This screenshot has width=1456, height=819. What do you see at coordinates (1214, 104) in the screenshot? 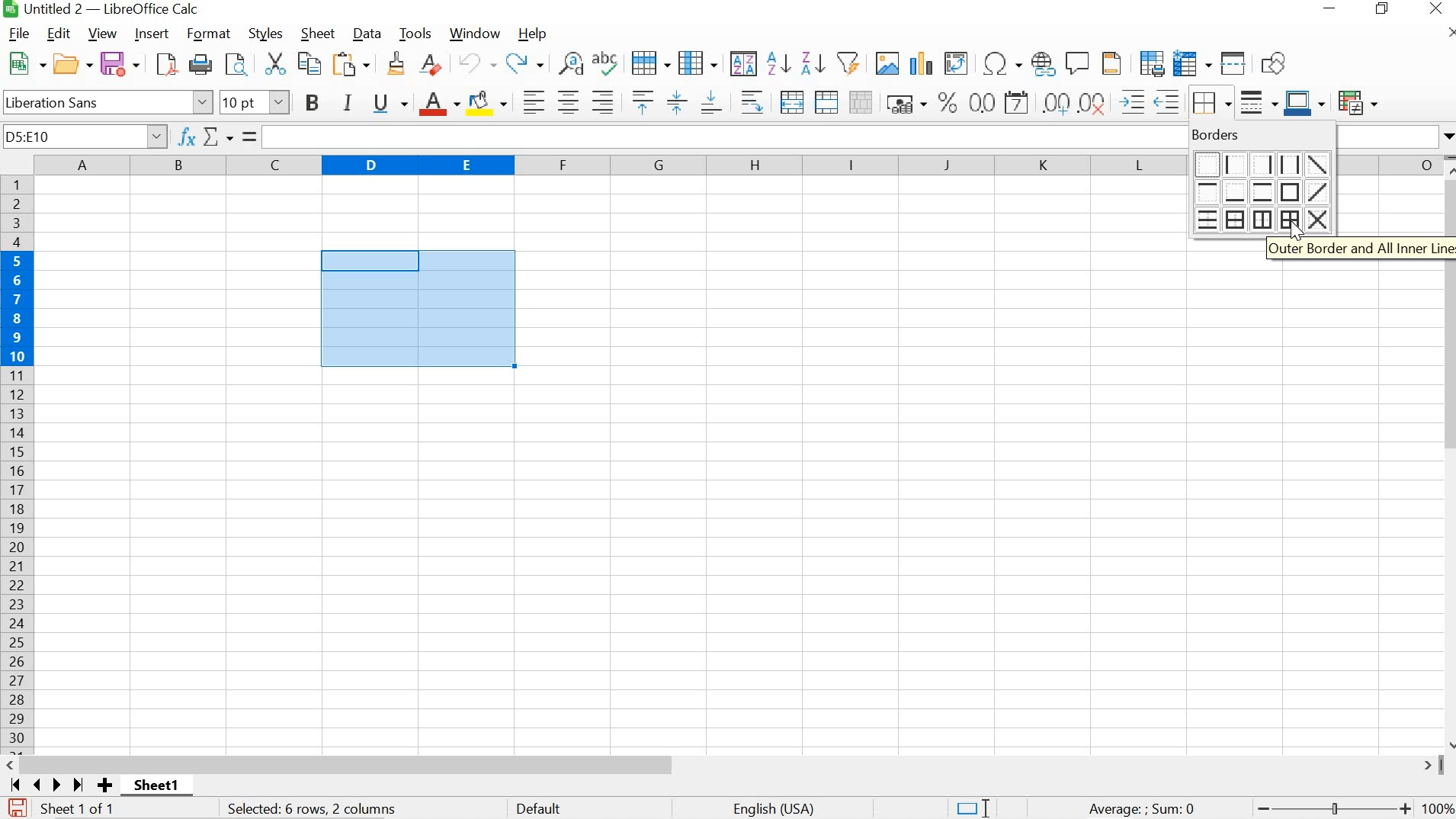
I see `BORDERS` at bounding box center [1214, 104].